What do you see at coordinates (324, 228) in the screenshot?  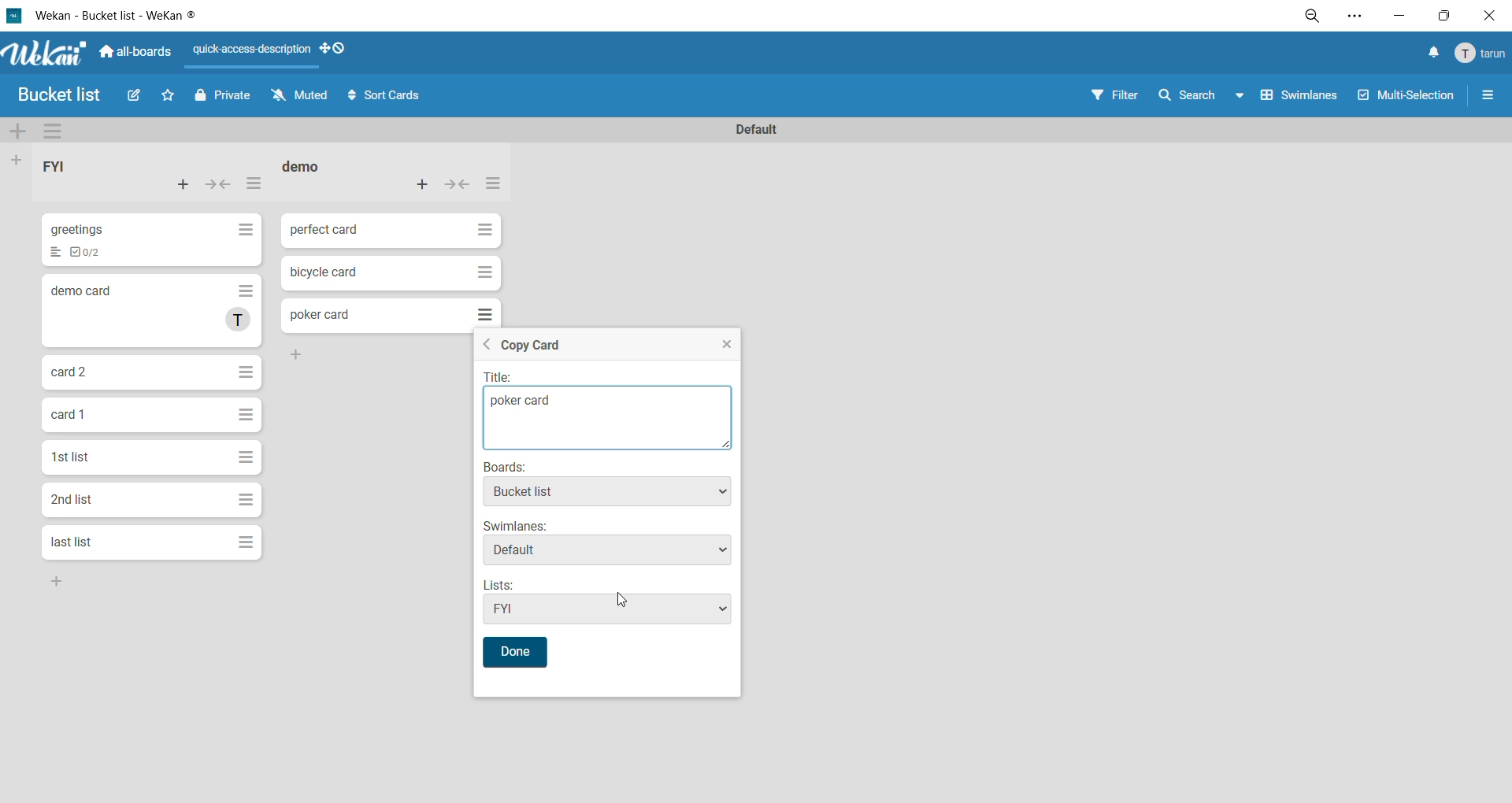 I see `perfect card` at bounding box center [324, 228].